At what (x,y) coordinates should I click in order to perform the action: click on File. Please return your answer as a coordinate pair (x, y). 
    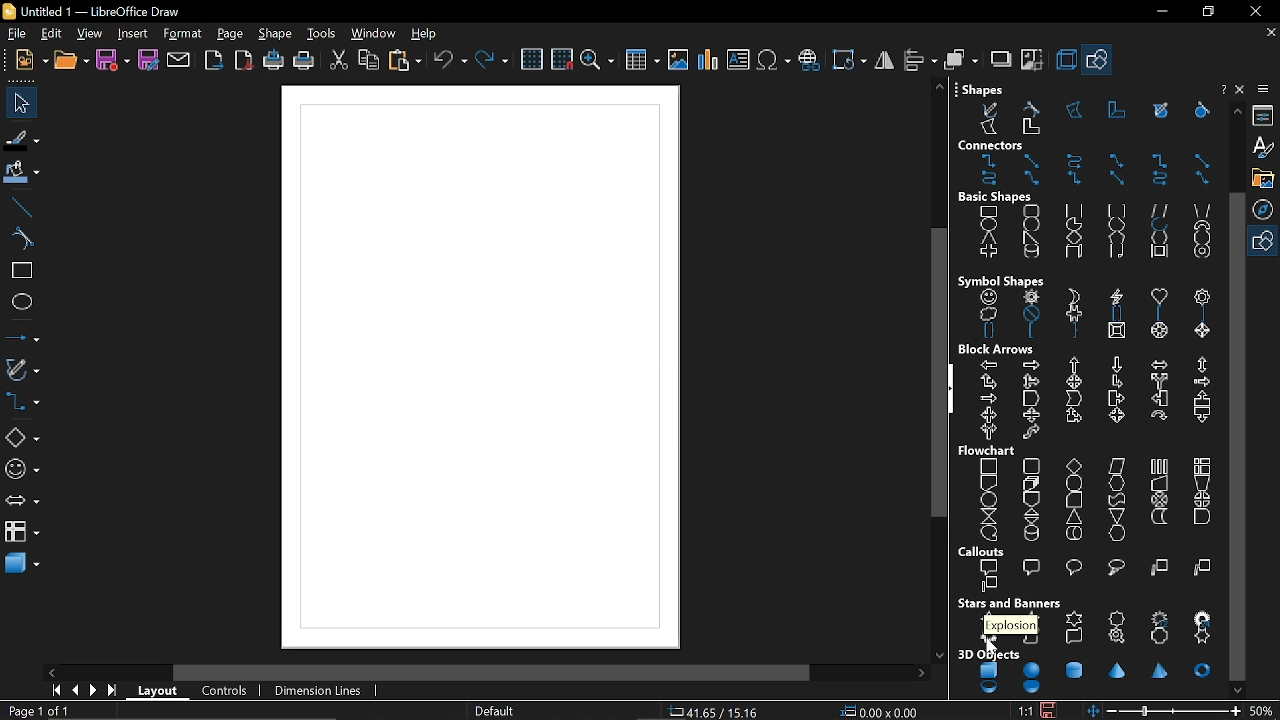
    Looking at the image, I should click on (17, 35).